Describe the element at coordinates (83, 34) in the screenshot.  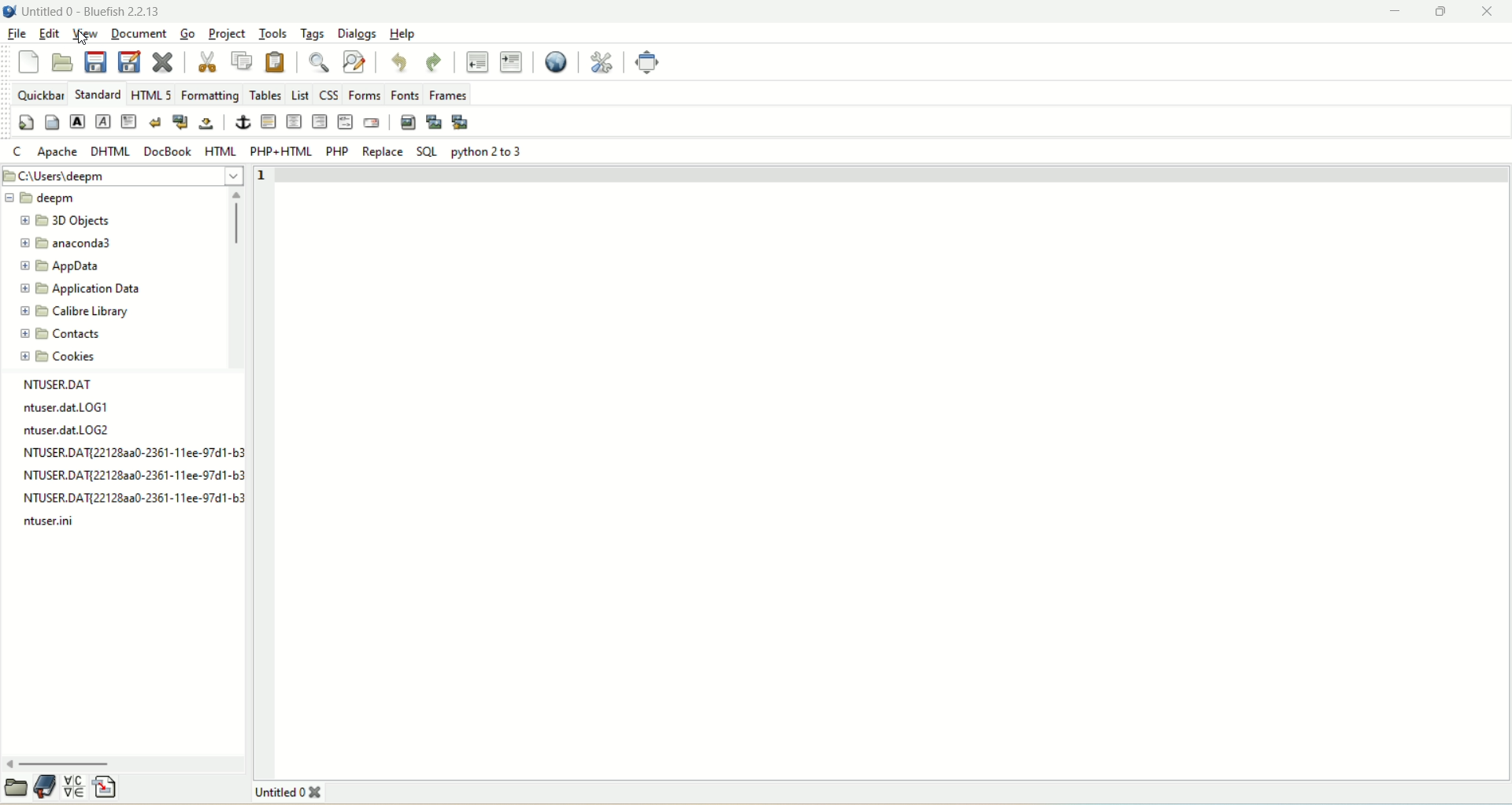
I see `view` at that location.